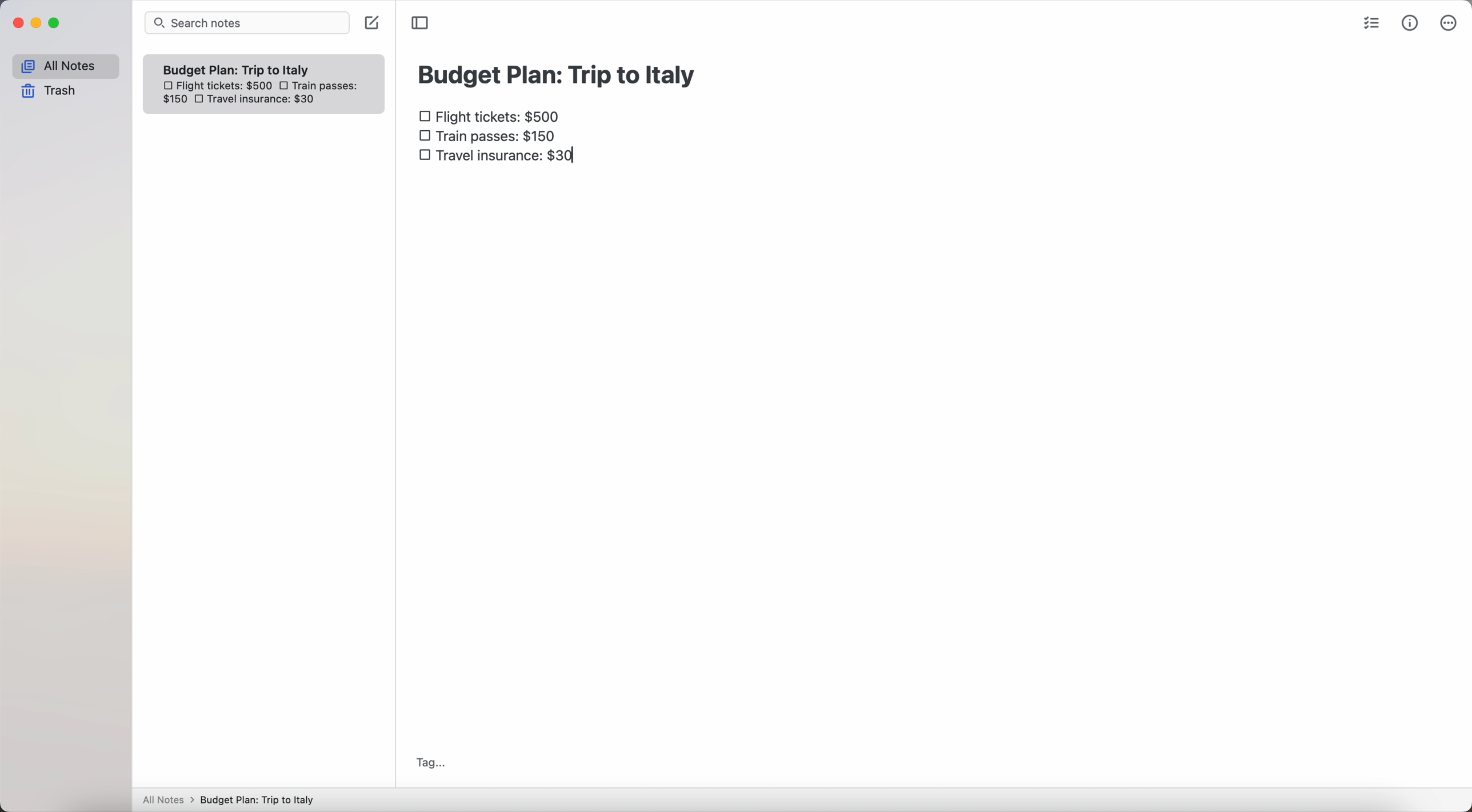 The height and width of the screenshot is (812, 1472). I want to click on trash, so click(49, 91).